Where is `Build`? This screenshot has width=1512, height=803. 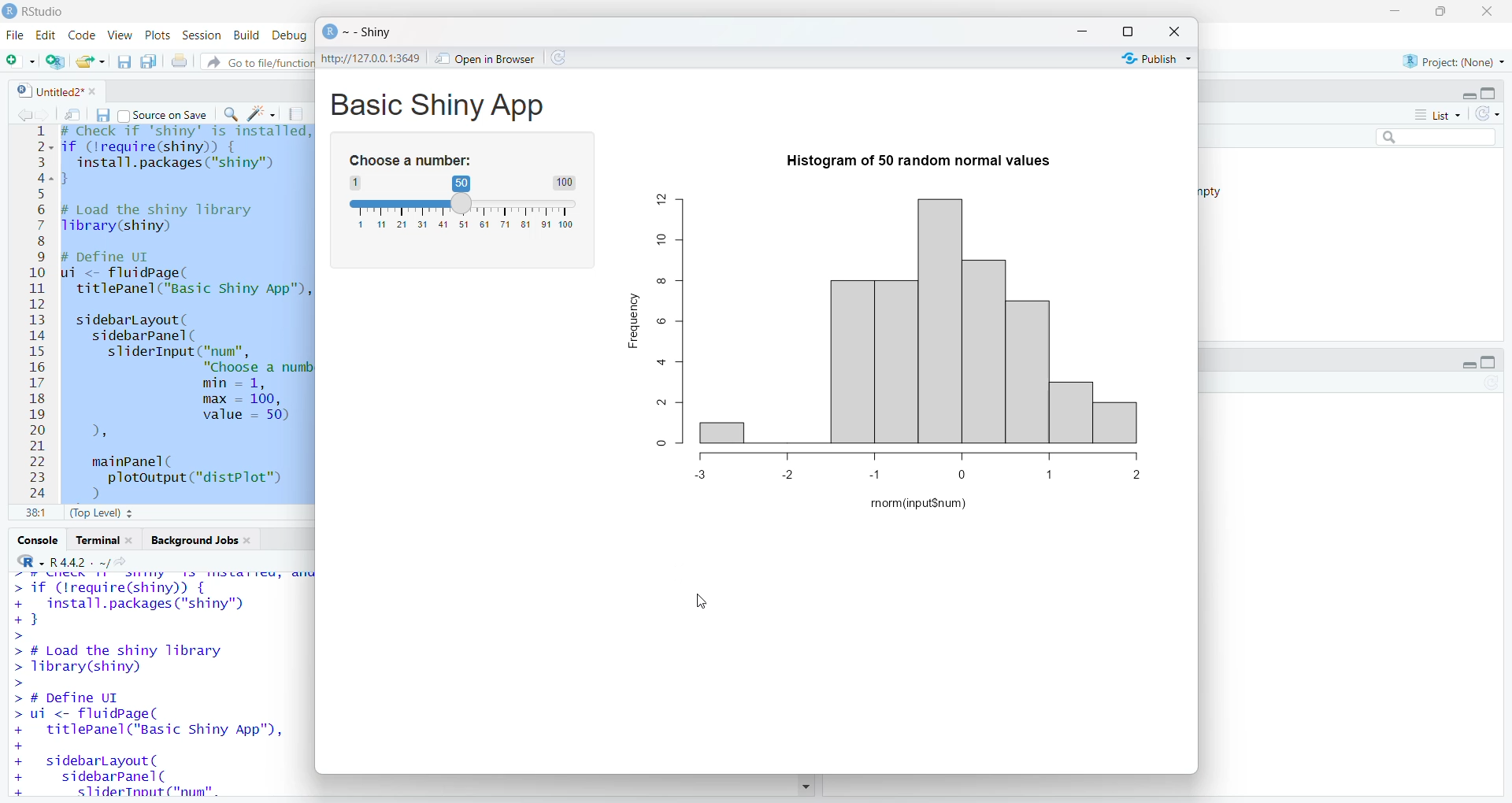
Build is located at coordinates (246, 35).